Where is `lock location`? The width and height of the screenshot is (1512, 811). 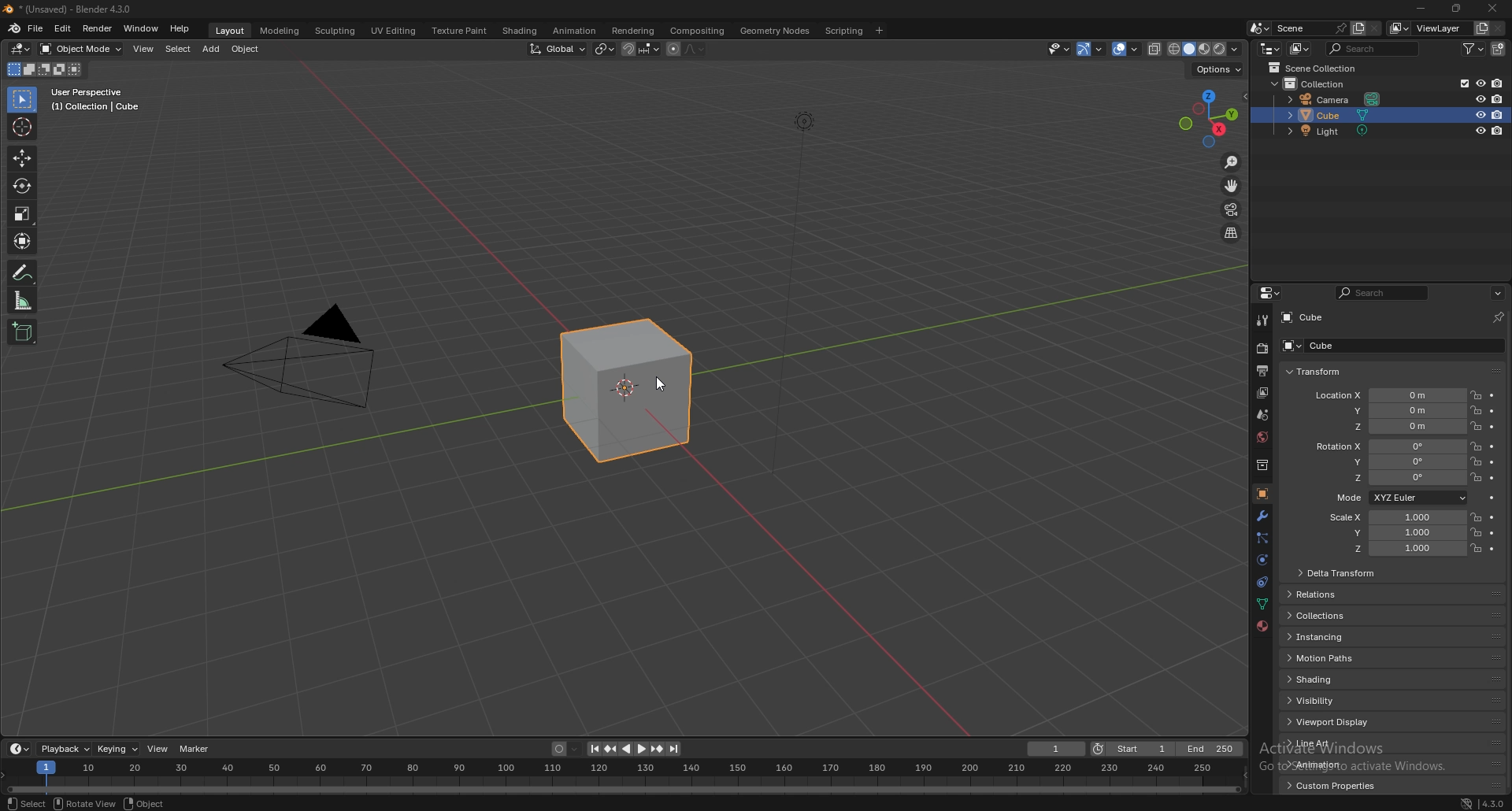
lock location is located at coordinates (1476, 395).